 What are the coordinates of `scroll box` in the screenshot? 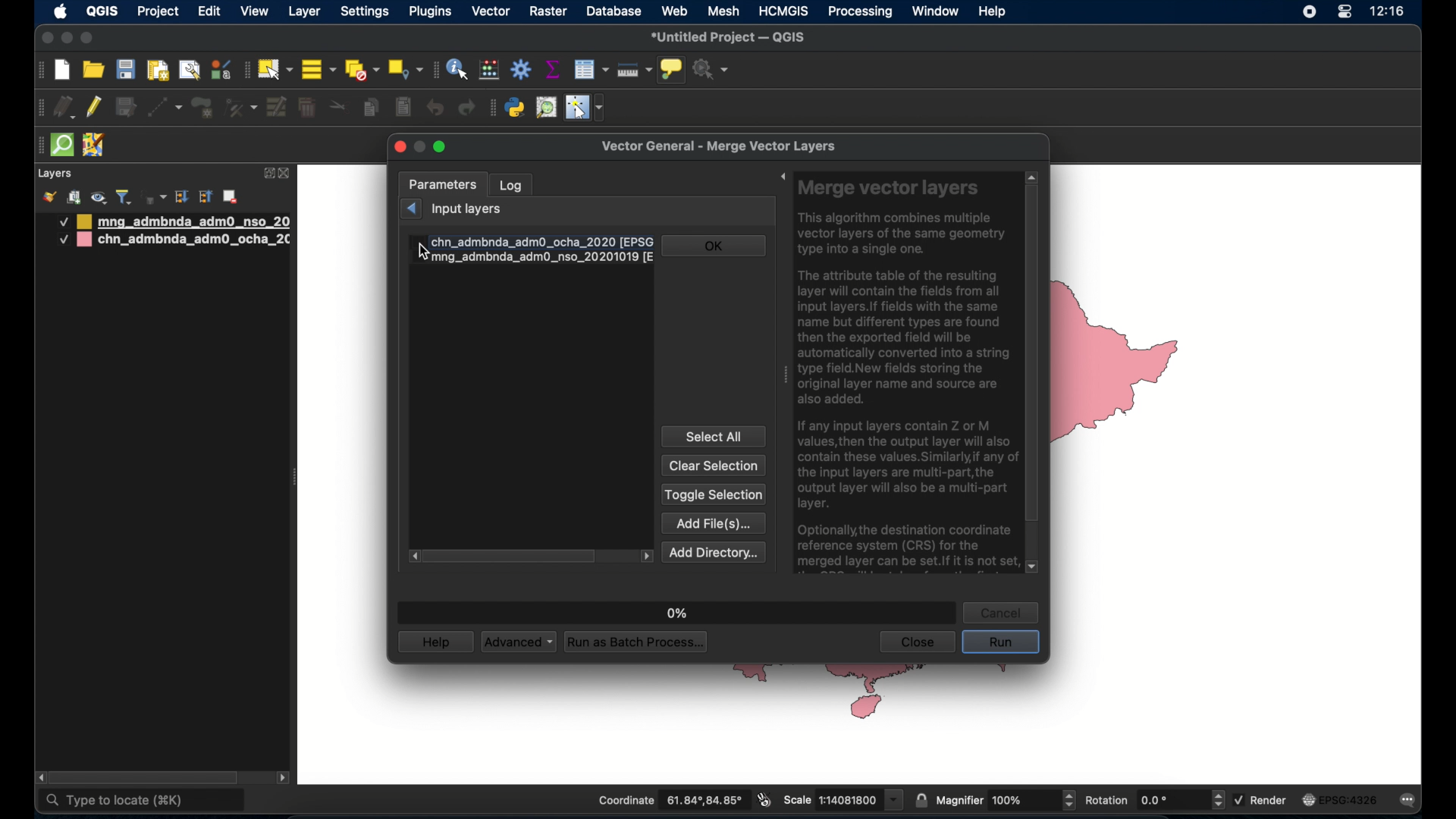 It's located at (511, 557).